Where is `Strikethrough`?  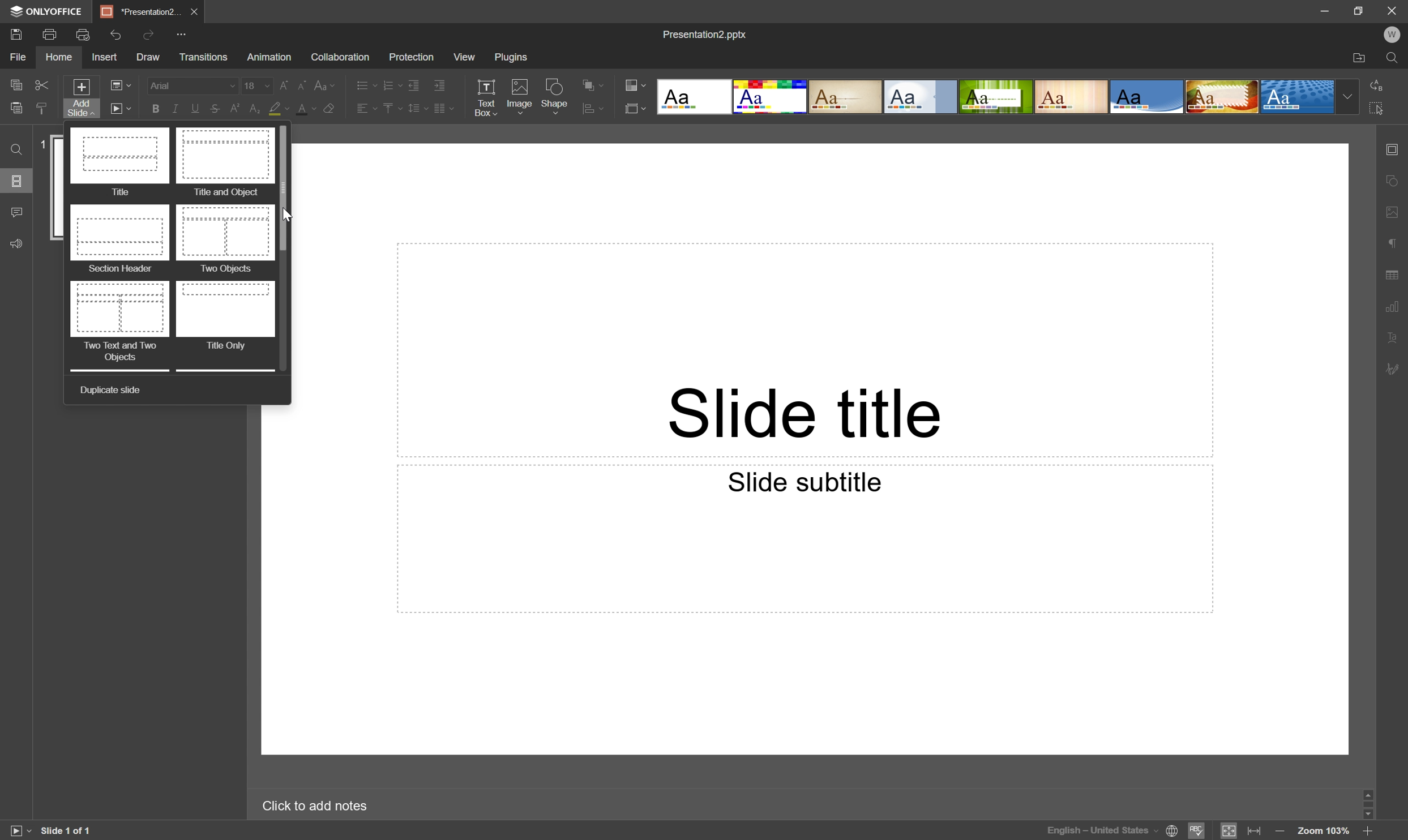 Strikethrough is located at coordinates (213, 109).